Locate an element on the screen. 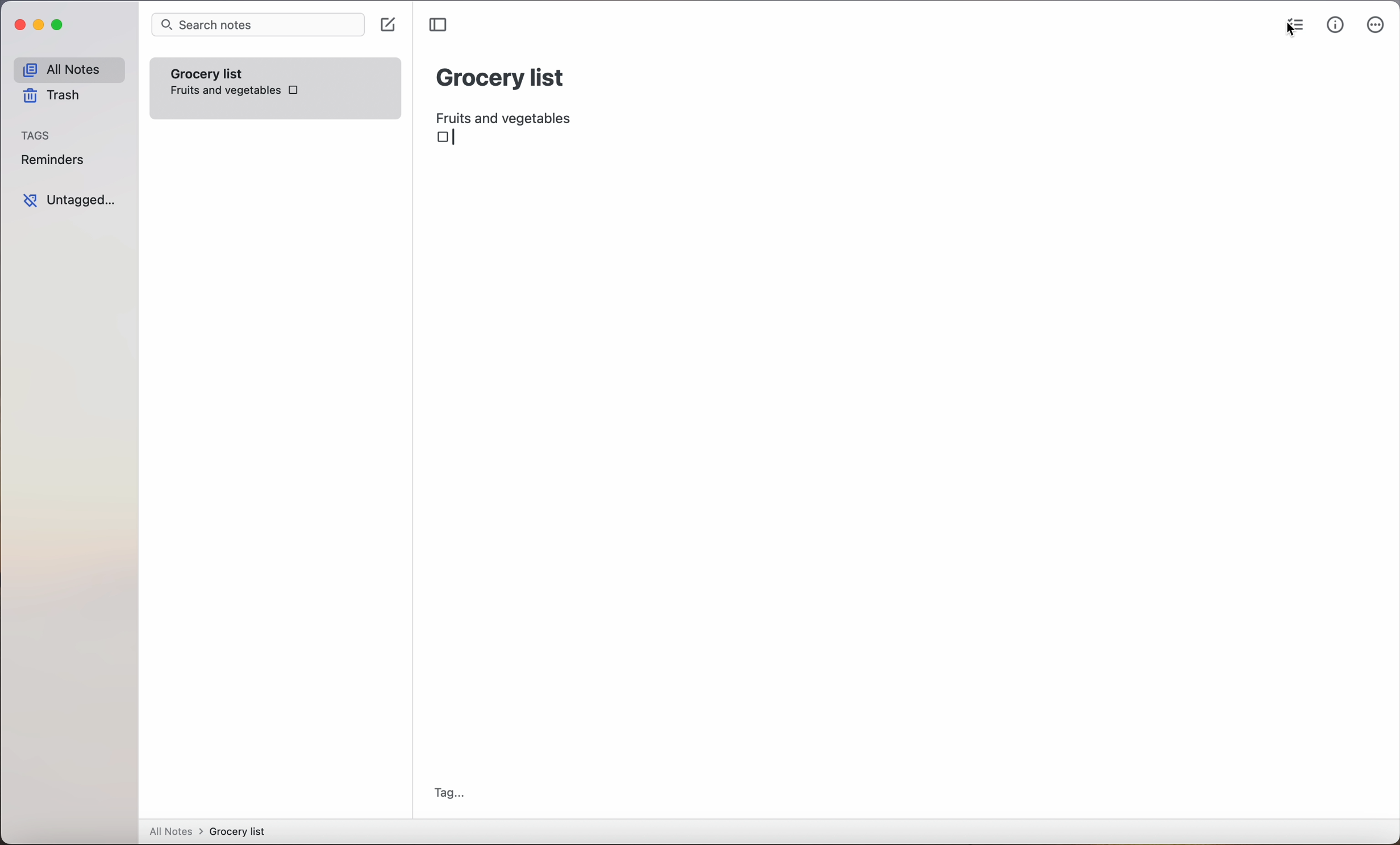 Image resolution: width=1400 pixels, height=845 pixels. toggle sidebar is located at coordinates (440, 25).